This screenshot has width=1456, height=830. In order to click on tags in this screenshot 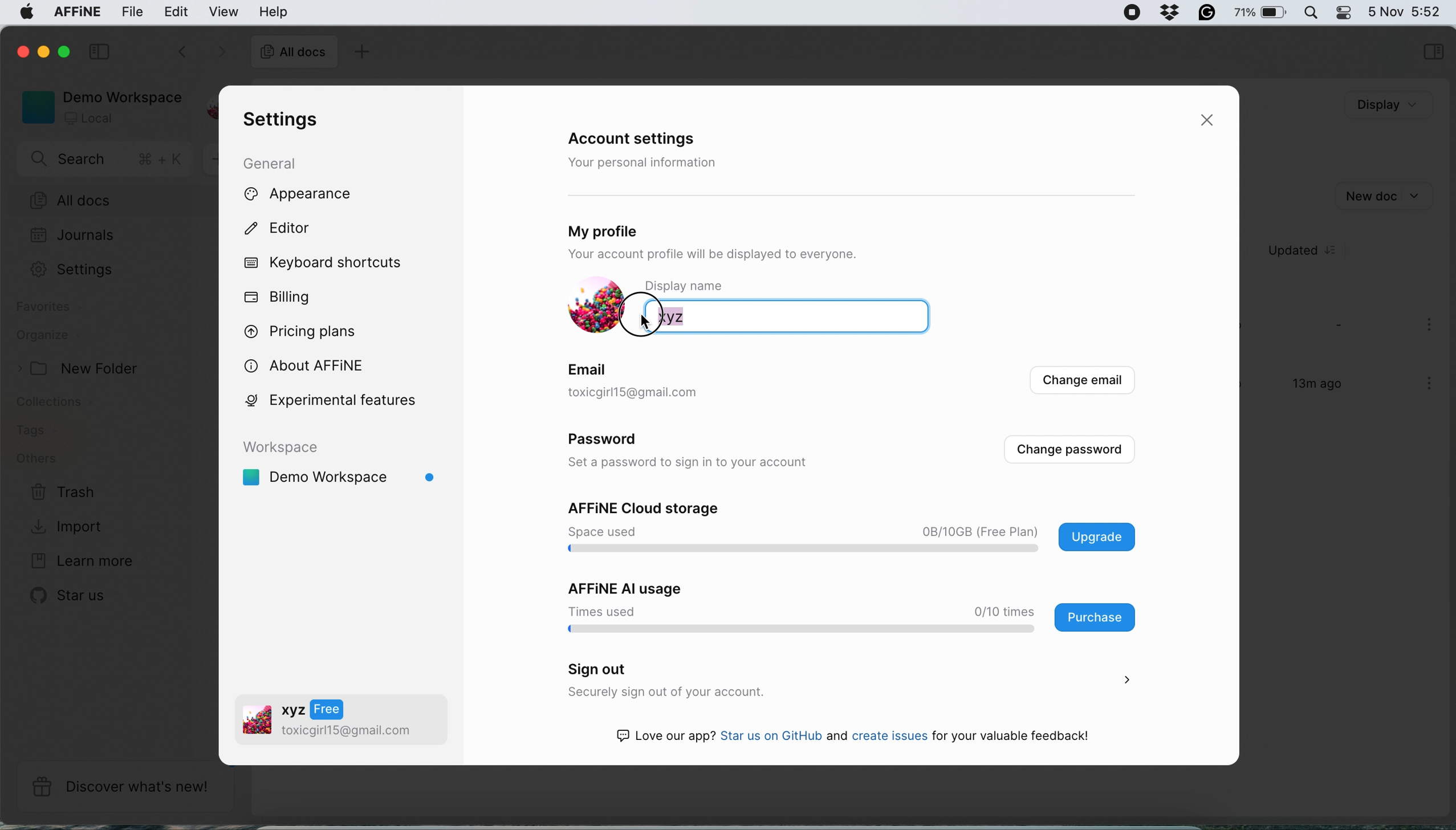, I will do `click(35, 431)`.